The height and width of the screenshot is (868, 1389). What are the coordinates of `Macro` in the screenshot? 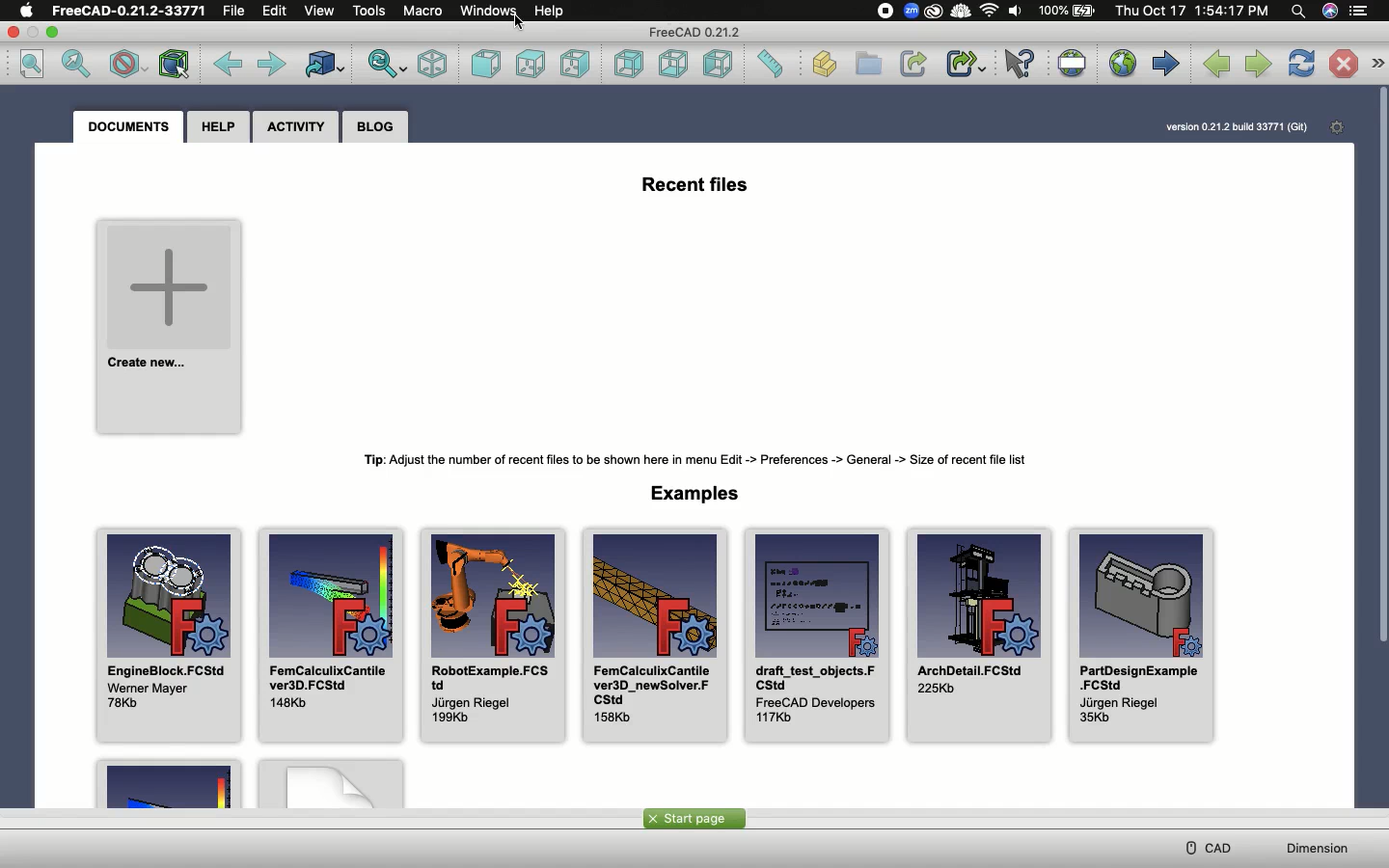 It's located at (423, 11).